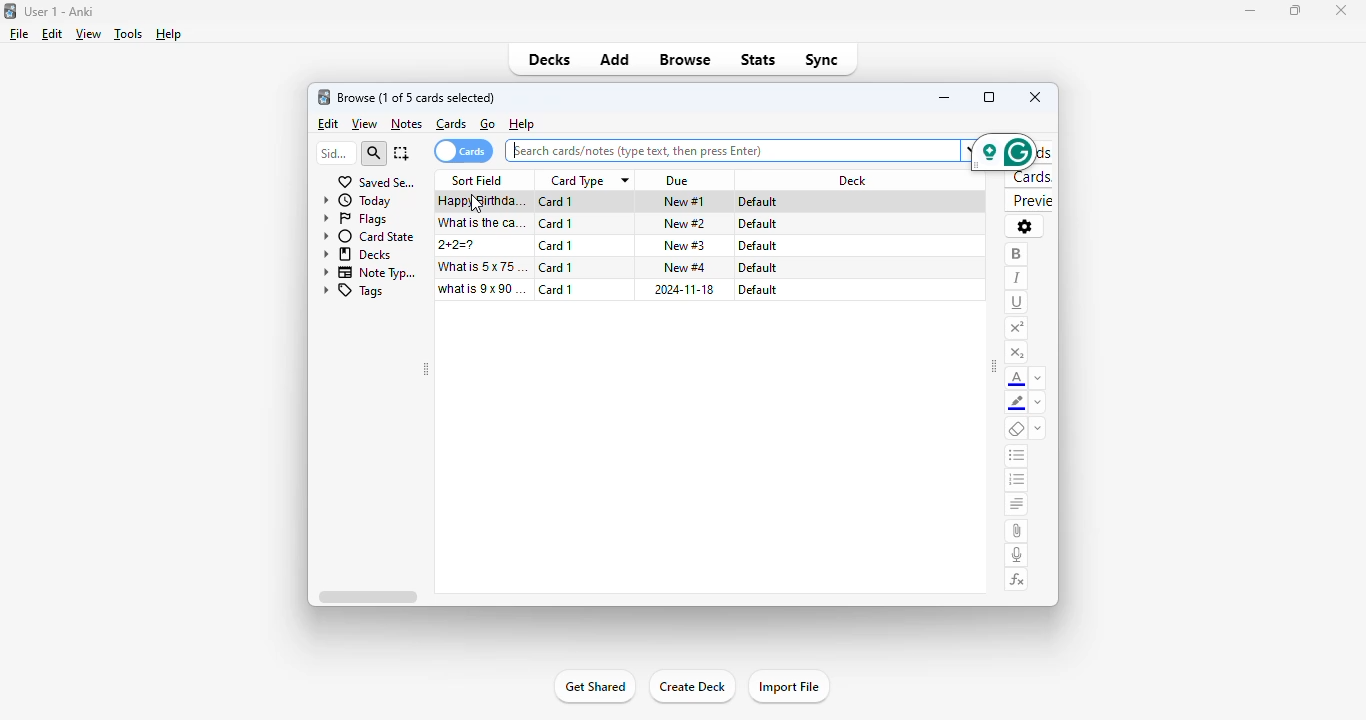  What do you see at coordinates (1017, 456) in the screenshot?
I see `unordered list` at bounding box center [1017, 456].